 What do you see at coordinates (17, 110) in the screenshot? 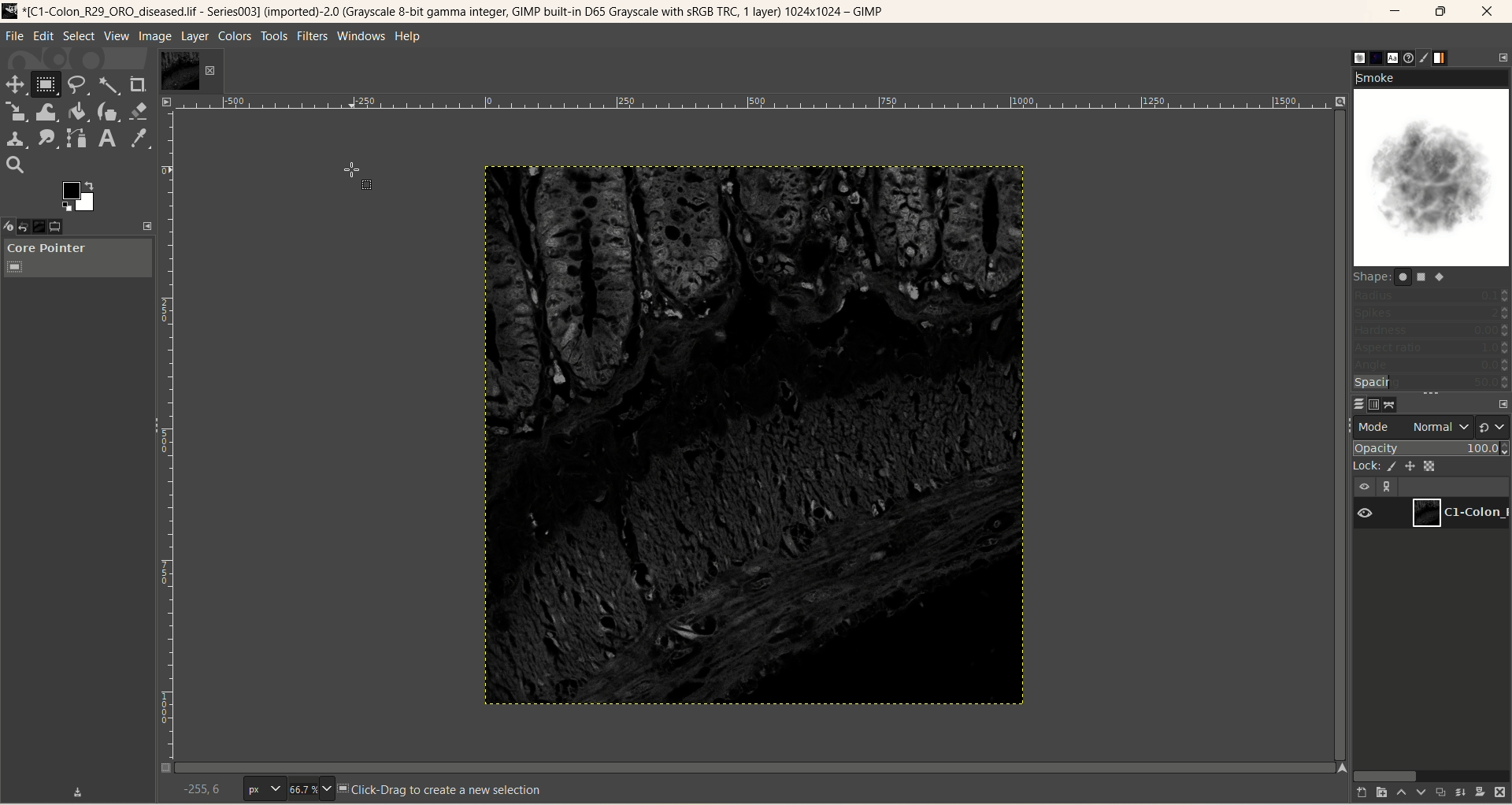
I see `scale` at bounding box center [17, 110].